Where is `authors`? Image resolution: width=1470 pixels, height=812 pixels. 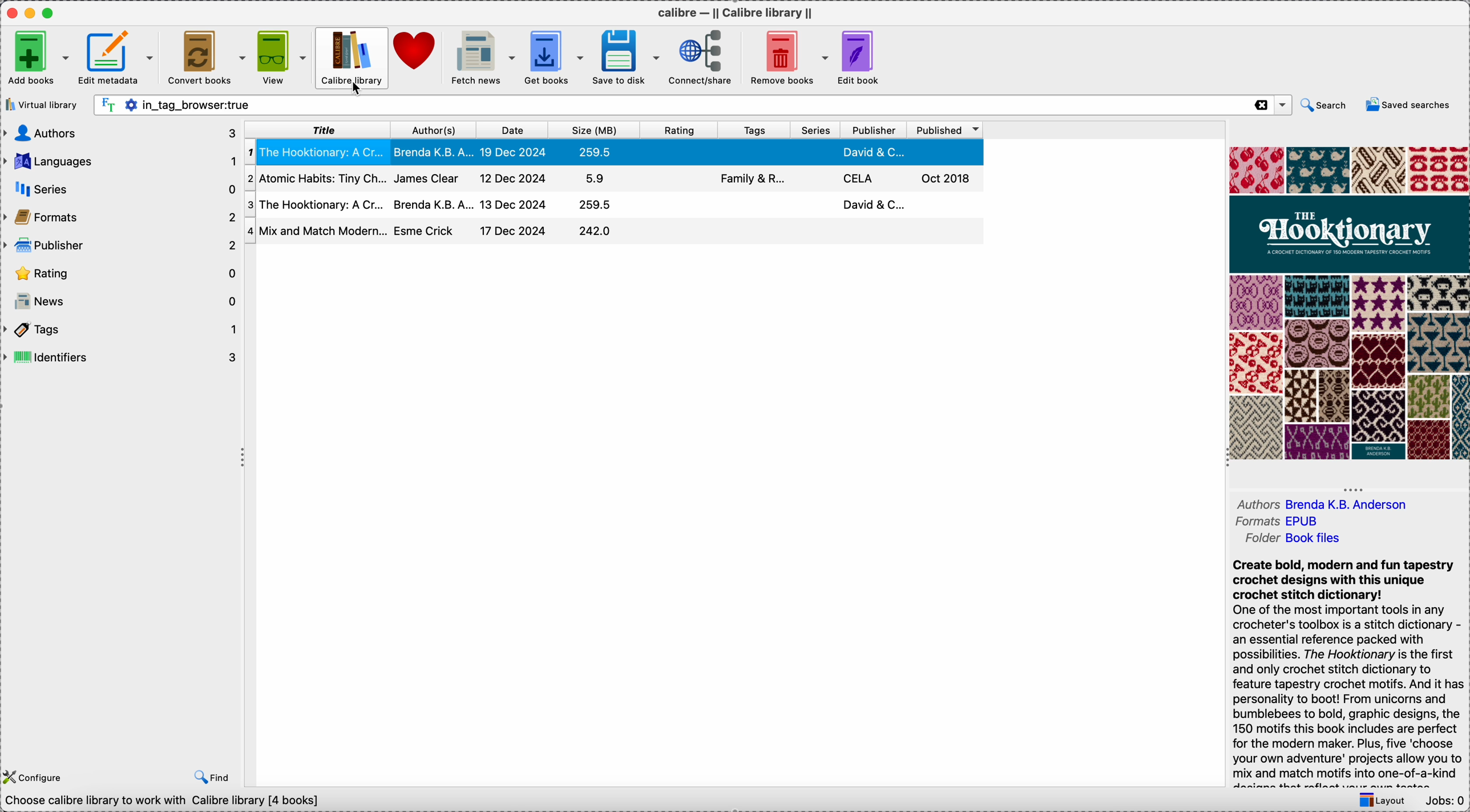 authors is located at coordinates (1321, 503).